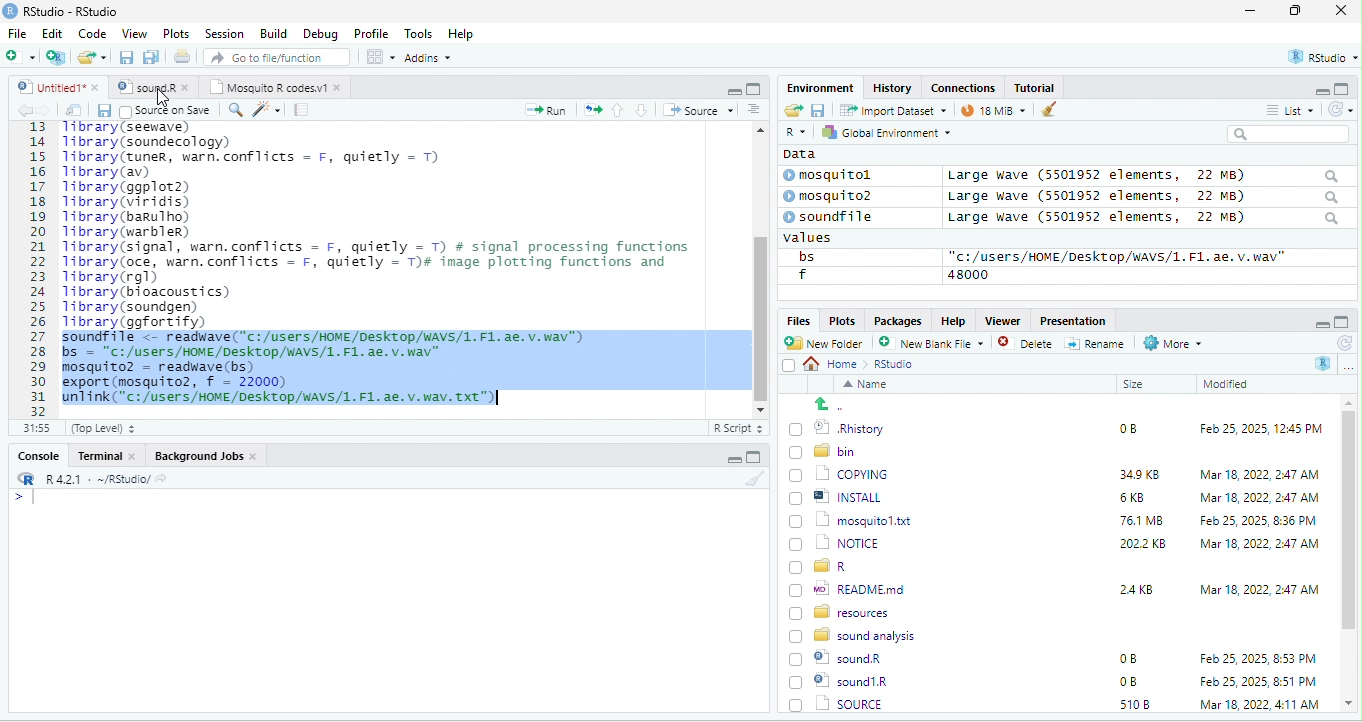  Describe the element at coordinates (1344, 88) in the screenshot. I see `maximize` at that location.